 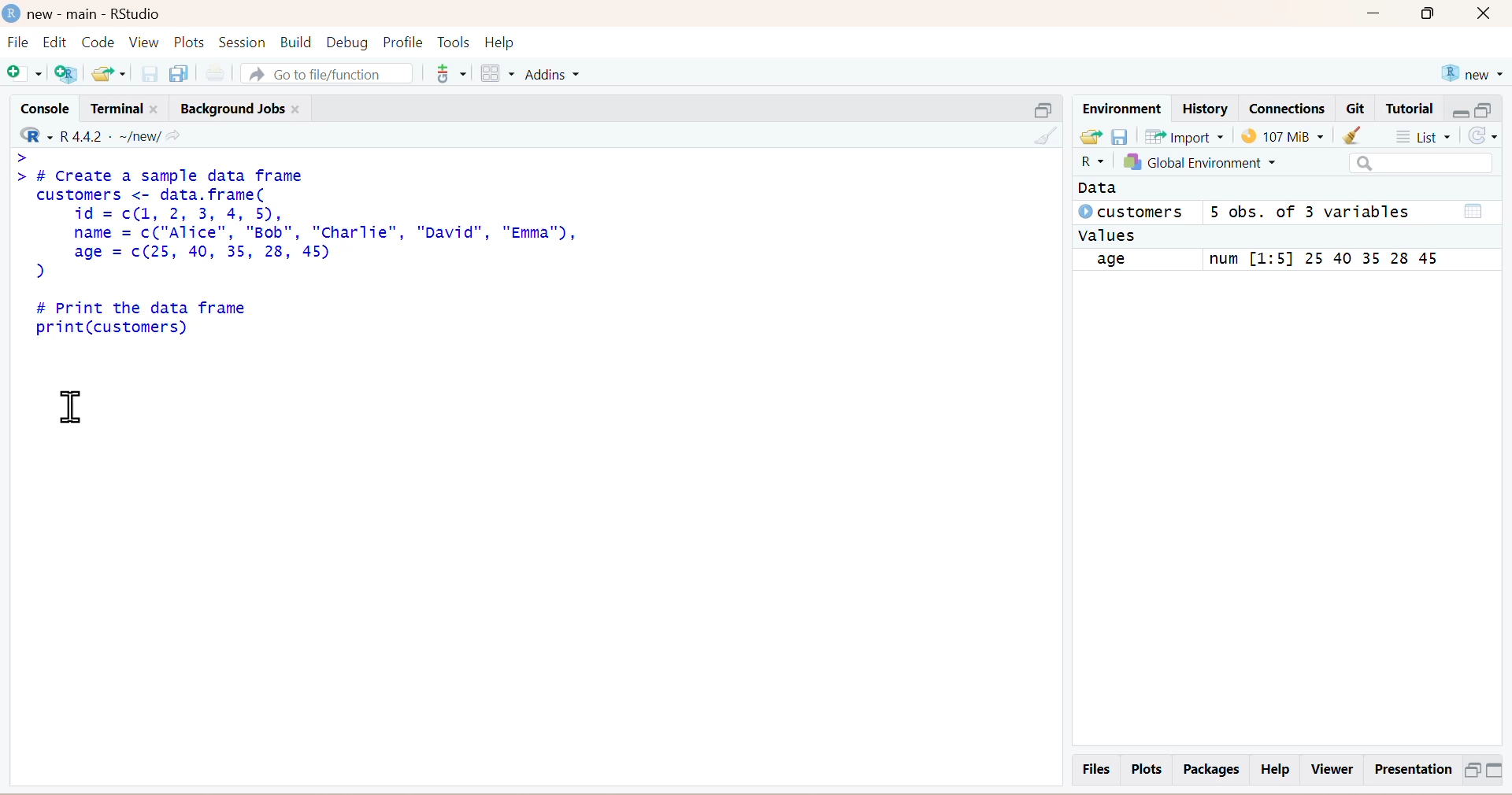 What do you see at coordinates (1499, 771) in the screenshot?
I see `Minimize` at bounding box center [1499, 771].